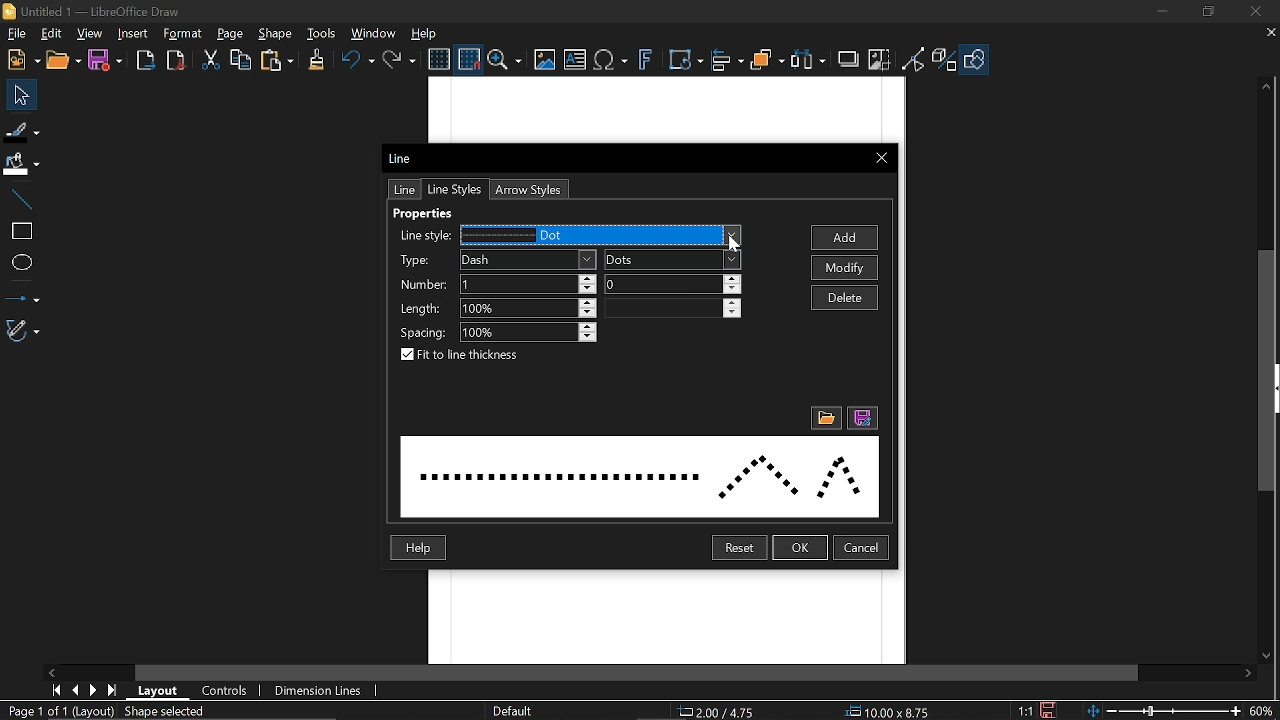 This screenshot has width=1280, height=720. What do you see at coordinates (522, 711) in the screenshot?
I see `Slide master name` at bounding box center [522, 711].